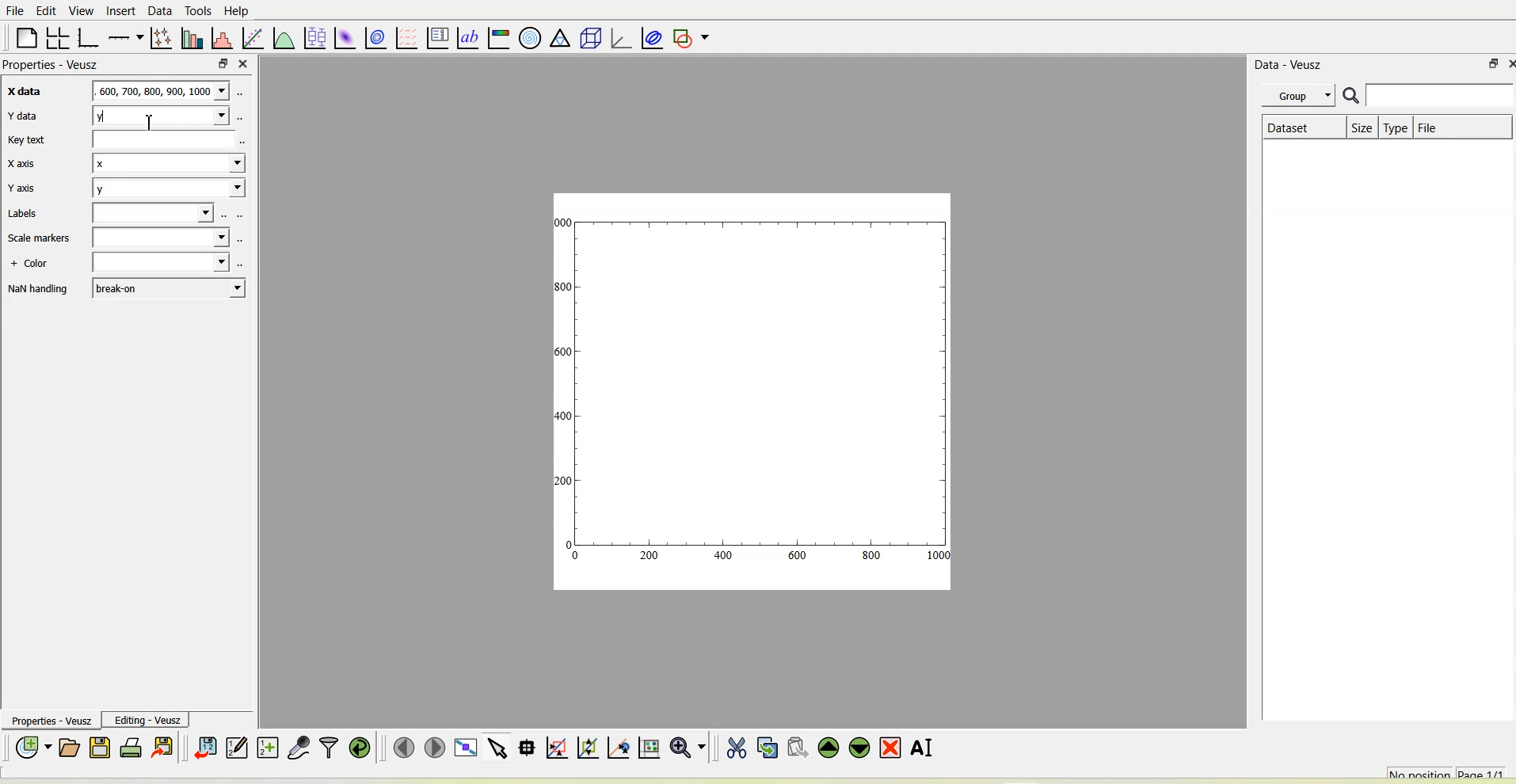 The height and width of the screenshot is (784, 1516). I want to click on select using dataset browser, so click(226, 215).